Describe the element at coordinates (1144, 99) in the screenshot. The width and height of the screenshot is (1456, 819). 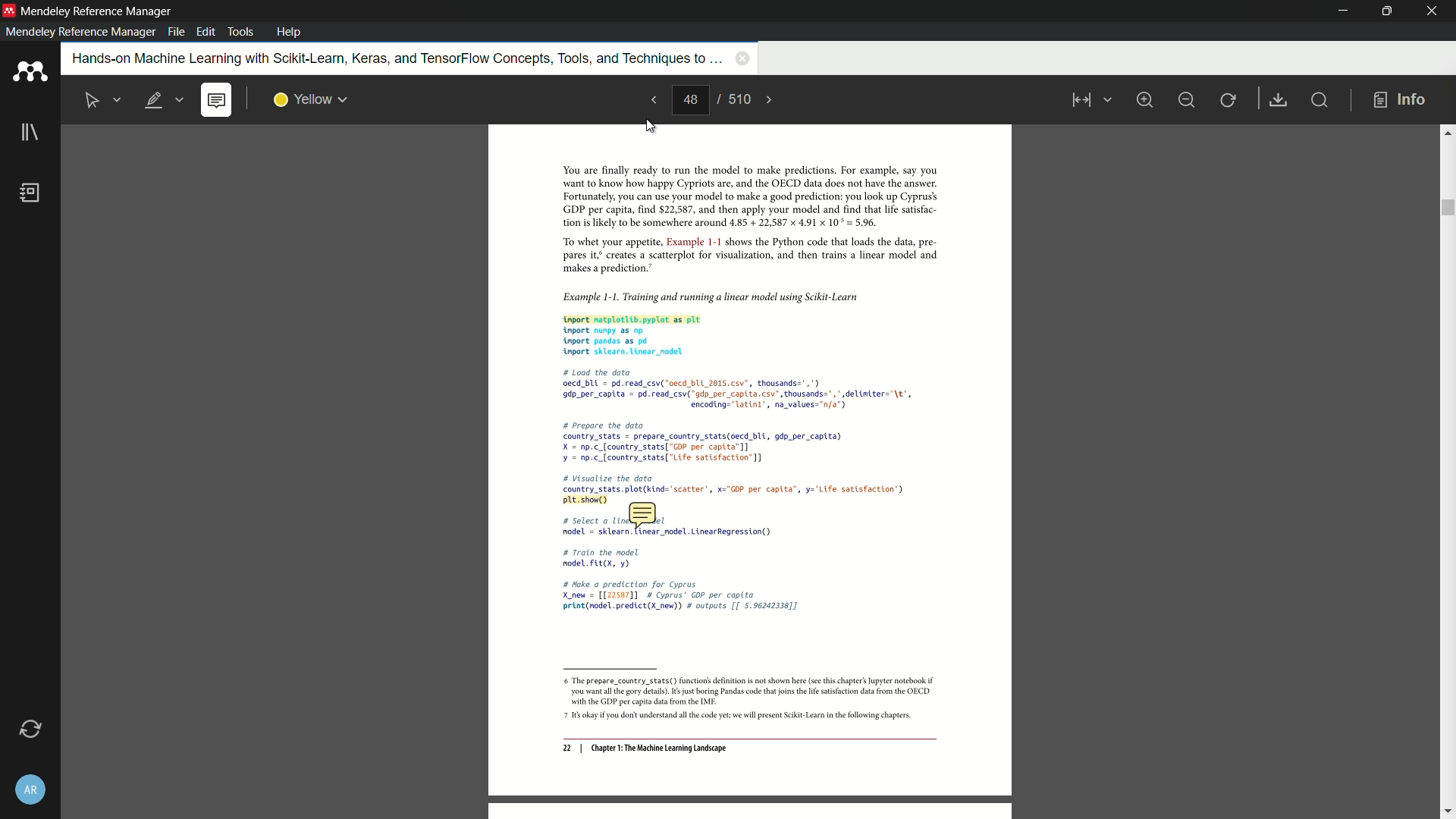
I see `zoom in` at that location.